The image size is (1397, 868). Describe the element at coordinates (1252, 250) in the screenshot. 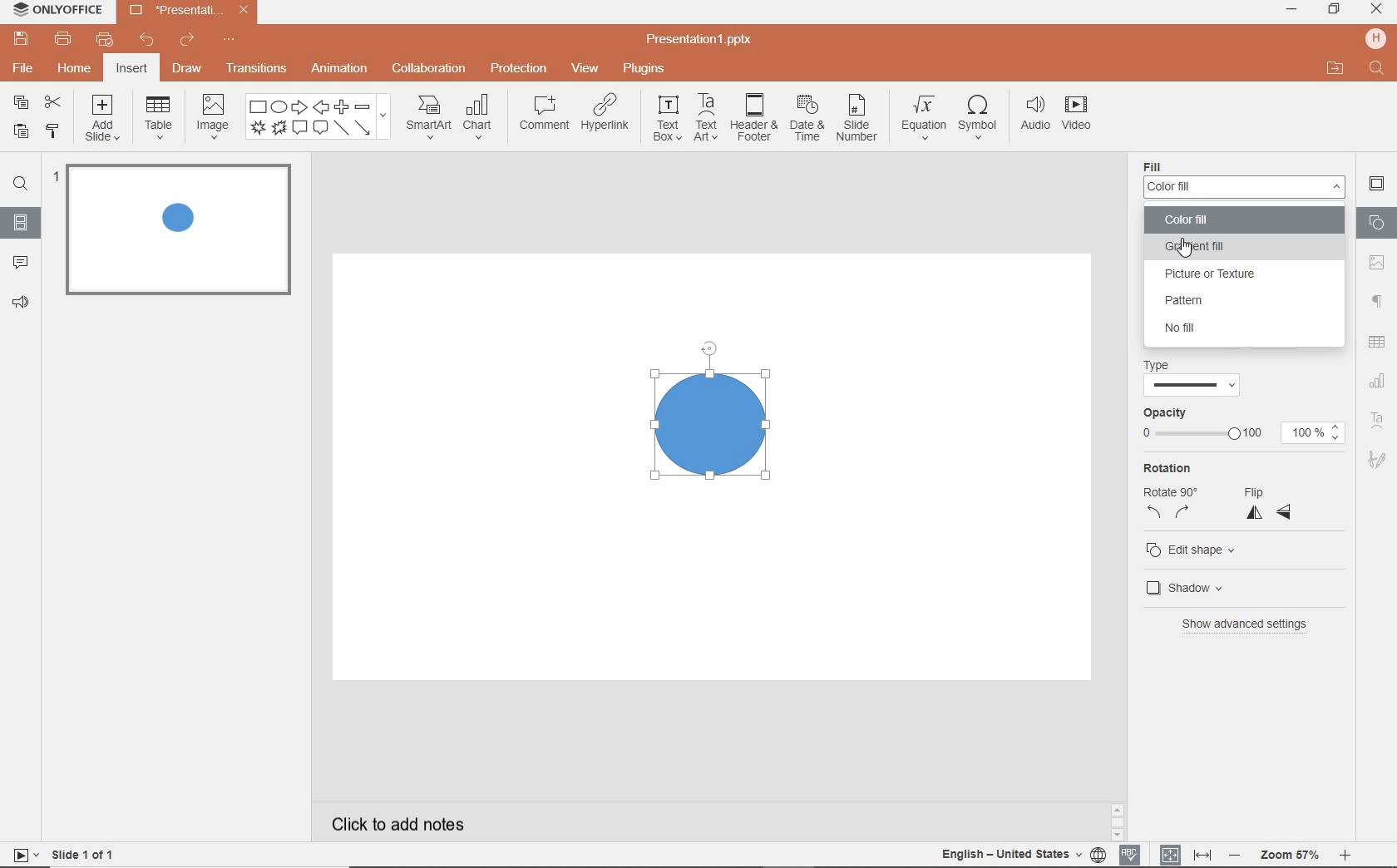

I see `gradient fill` at that location.